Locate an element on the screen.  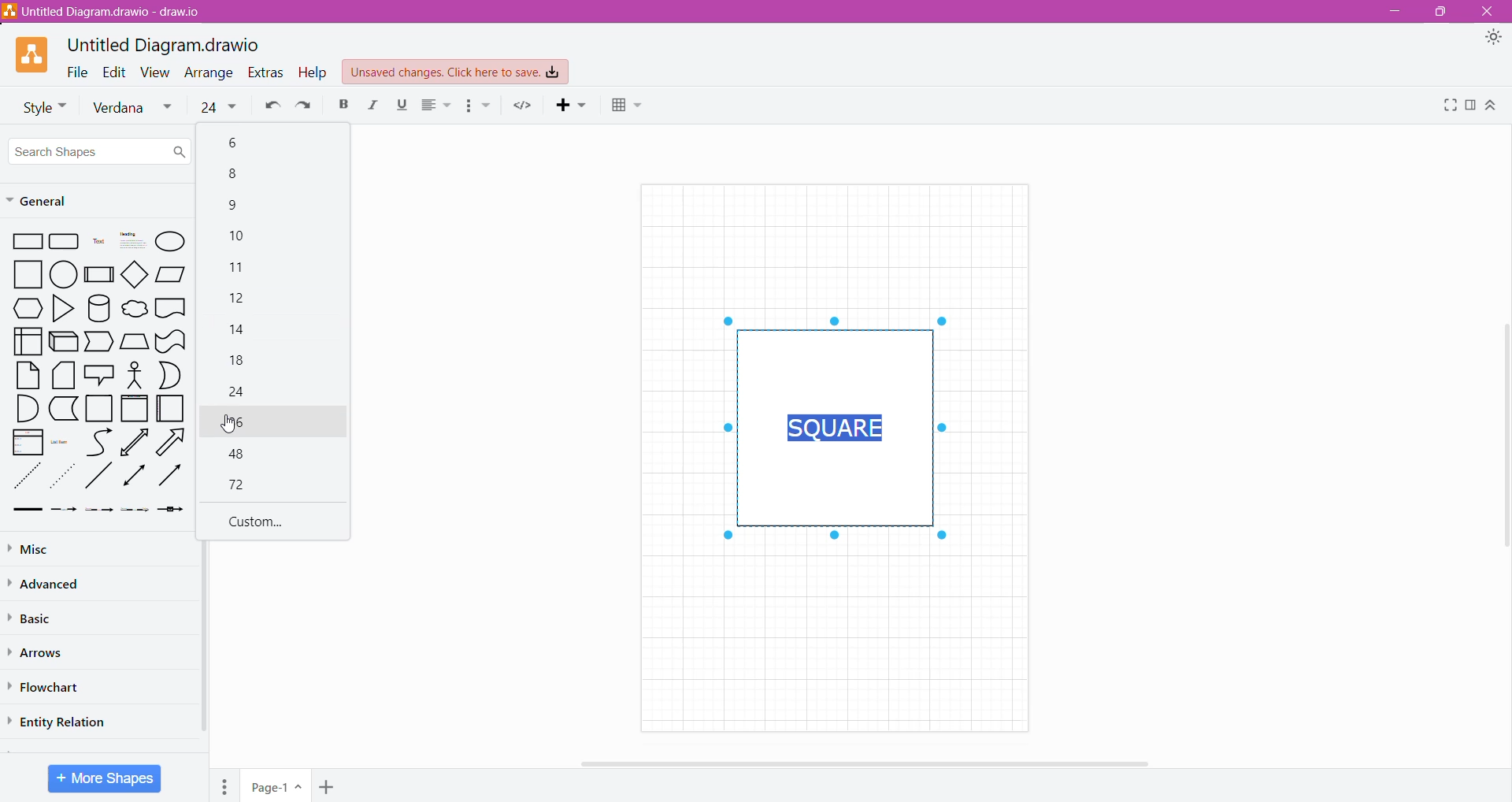
Grid rectangle is located at coordinates (65, 241).